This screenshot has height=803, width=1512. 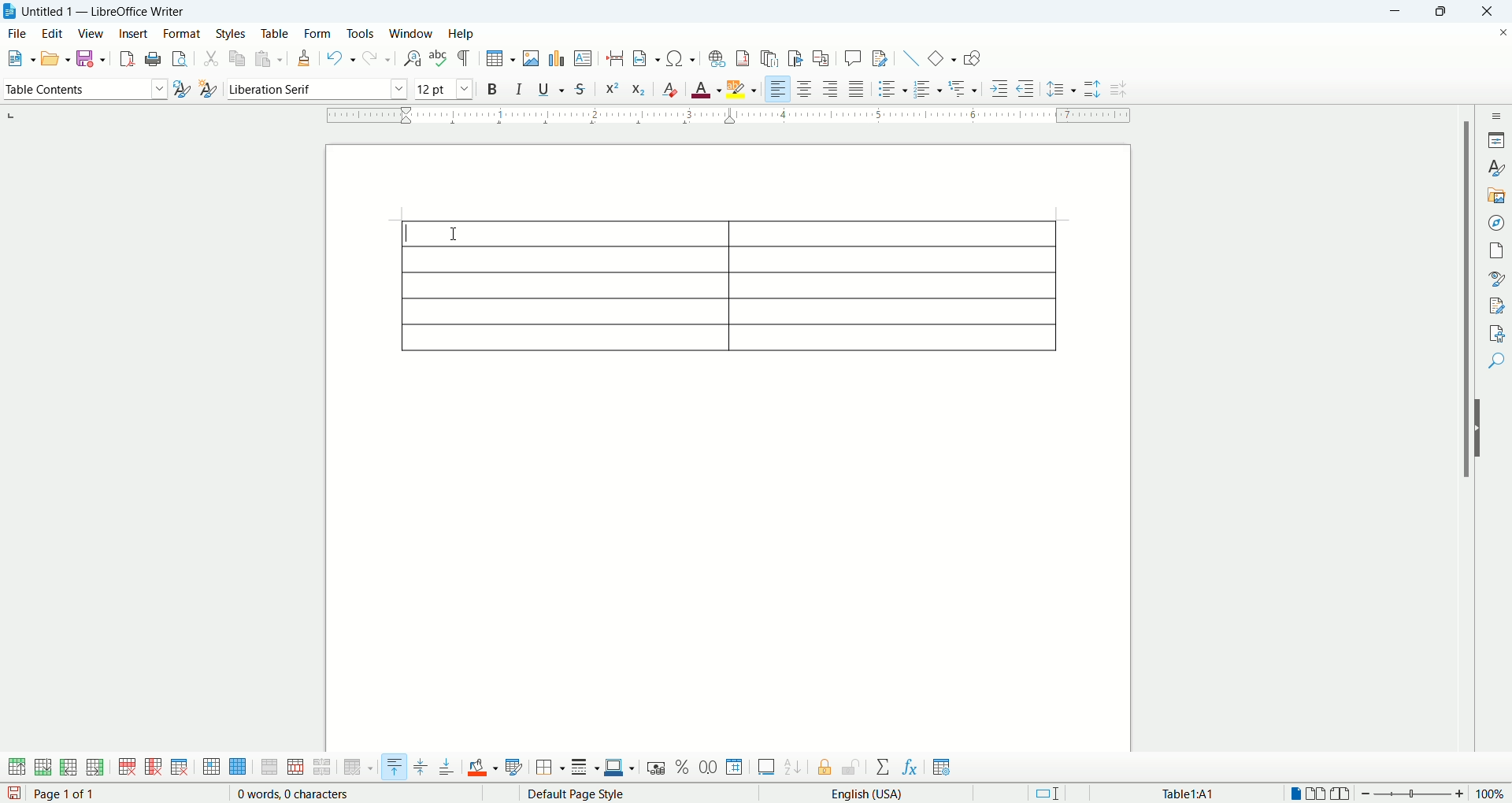 What do you see at coordinates (271, 767) in the screenshot?
I see `merge cells` at bounding box center [271, 767].